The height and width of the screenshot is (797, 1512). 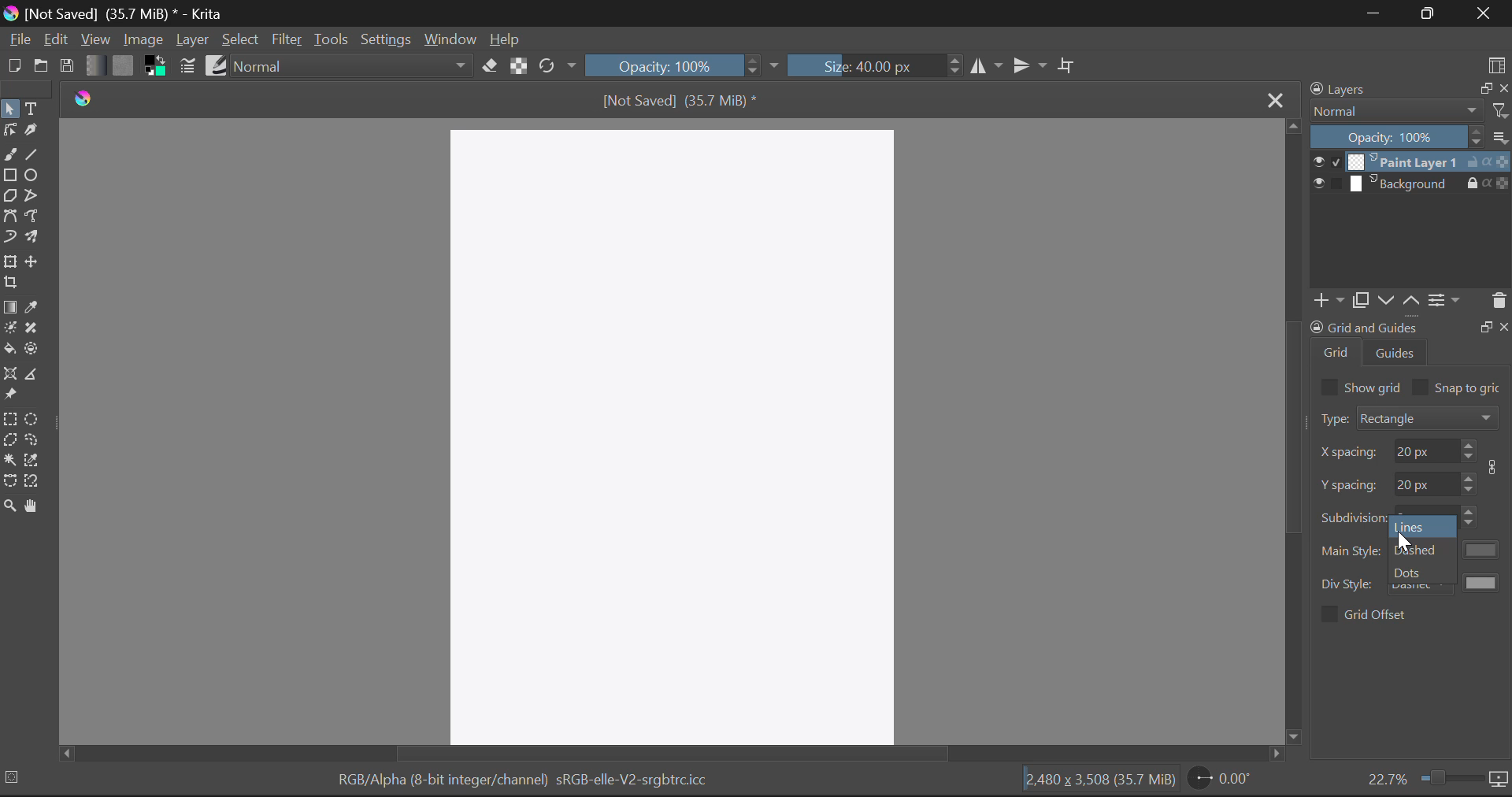 What do you see at coordinates (1328, 387) in the screenshot?
I see `checkbox` at bounding box center [1328, 387].